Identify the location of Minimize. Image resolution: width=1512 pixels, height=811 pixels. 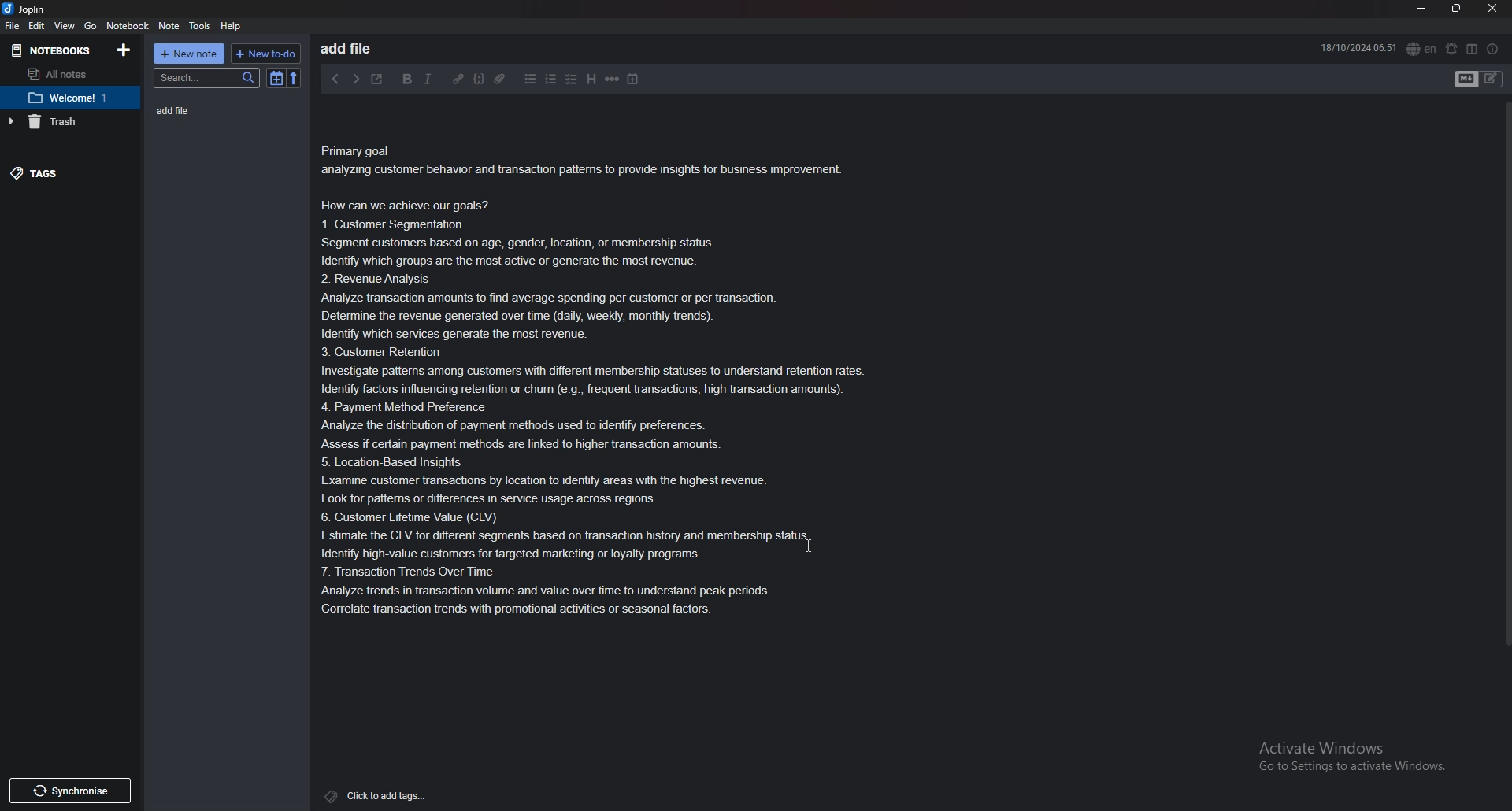
(1421, 9).